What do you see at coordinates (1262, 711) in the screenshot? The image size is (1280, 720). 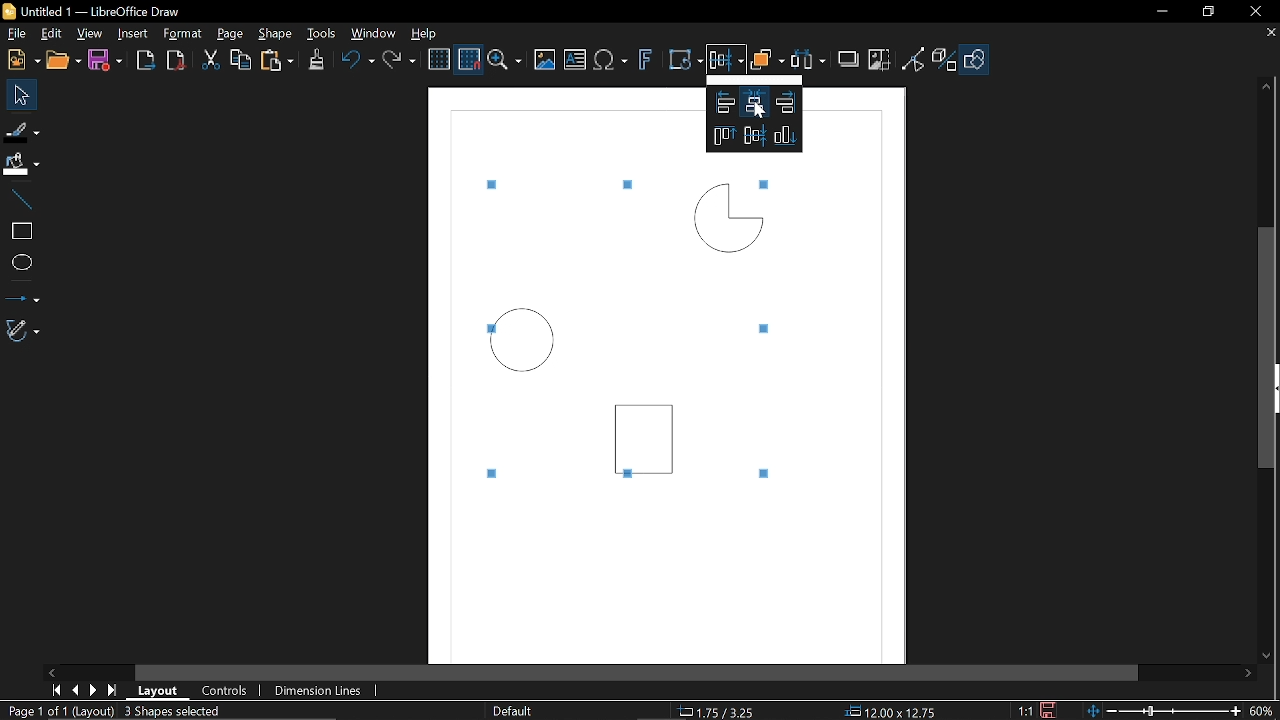 I see `Zoom` at bounding box center [1262, 711].